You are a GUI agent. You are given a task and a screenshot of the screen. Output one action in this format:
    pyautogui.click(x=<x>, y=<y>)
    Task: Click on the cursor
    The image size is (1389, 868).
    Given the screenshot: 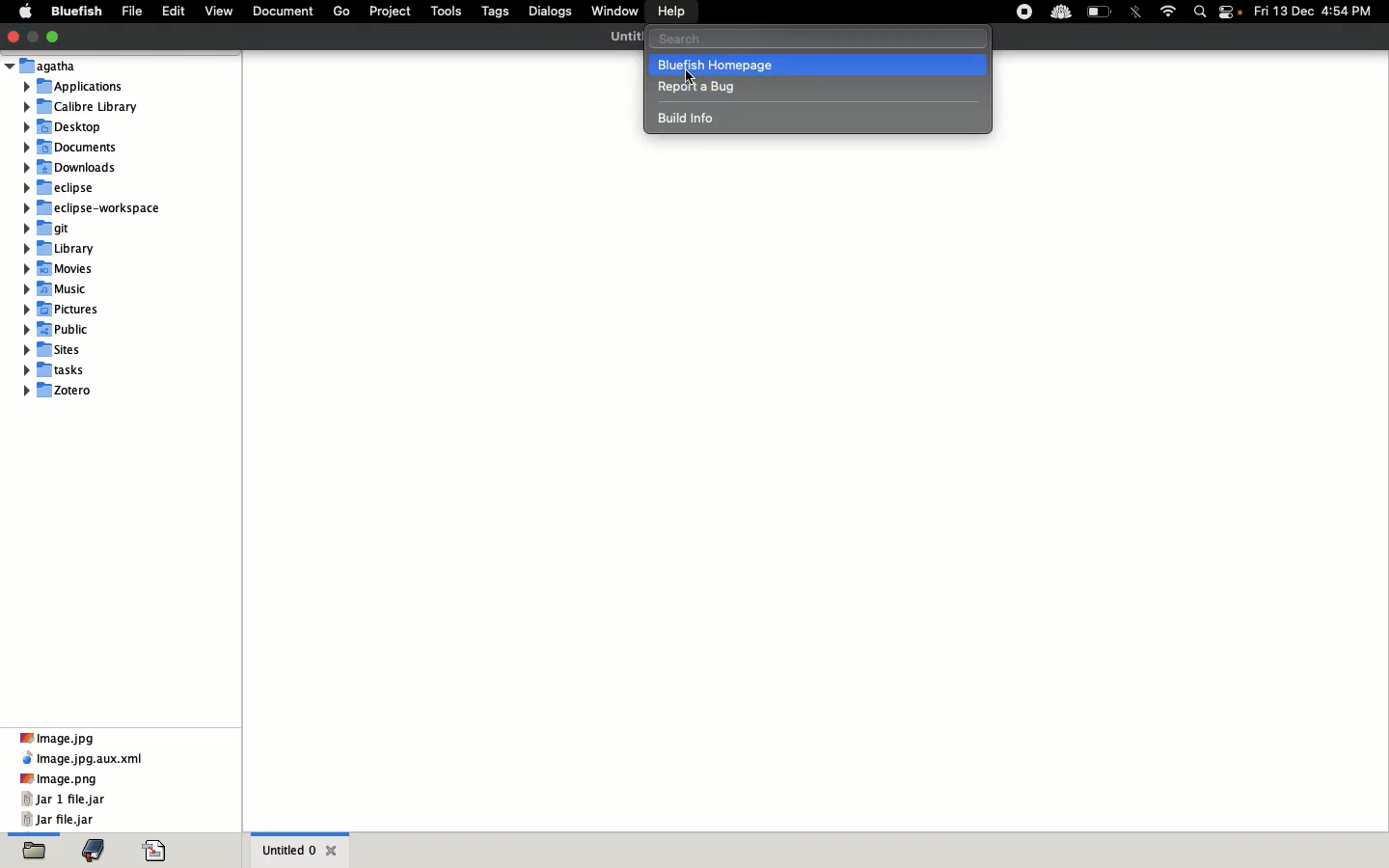 What is the action you would take?
    pyautogui.click(x=691, y=76)
    